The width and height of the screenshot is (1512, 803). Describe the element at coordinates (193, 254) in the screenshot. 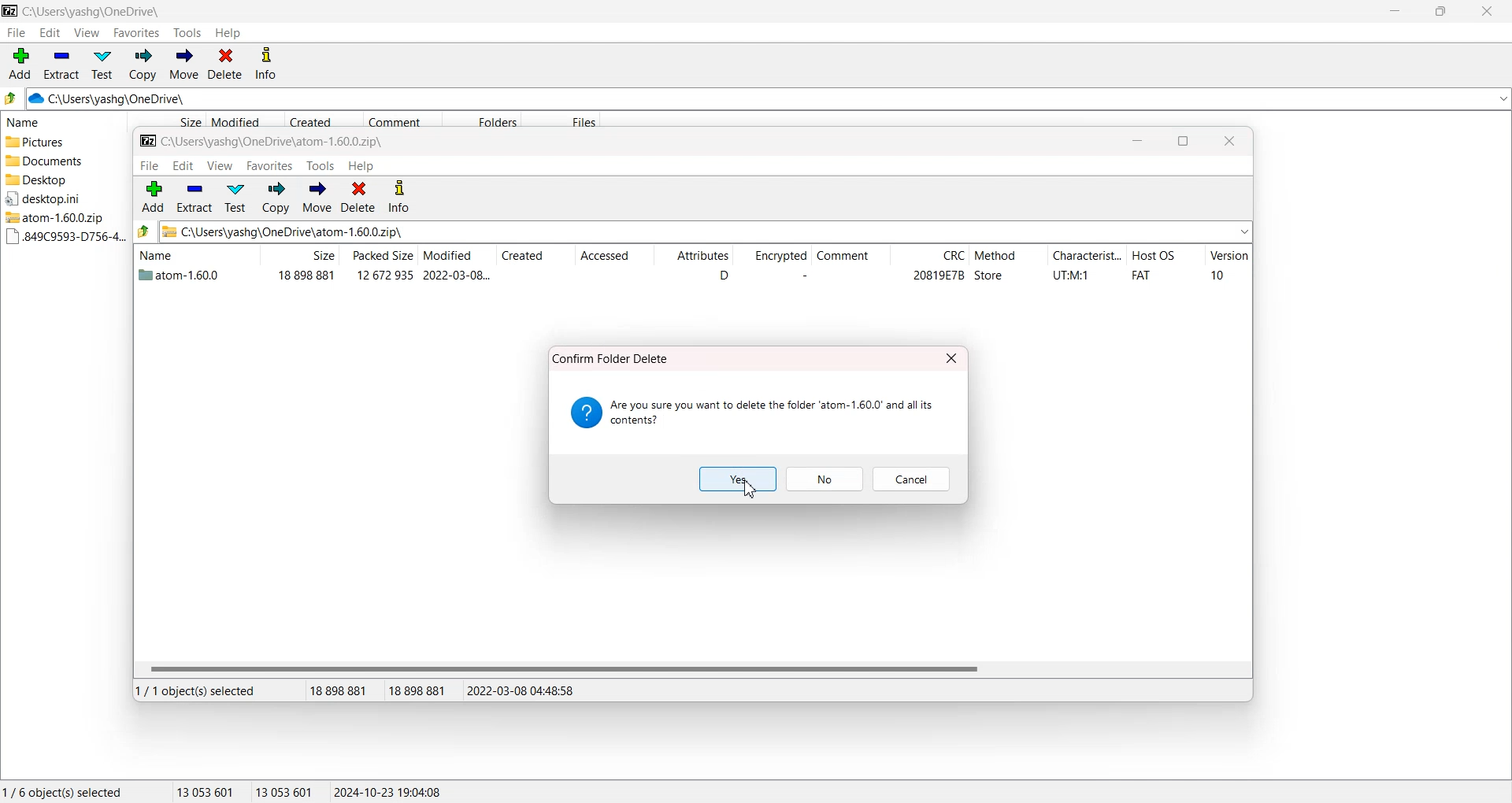

I see `Name` at that location.